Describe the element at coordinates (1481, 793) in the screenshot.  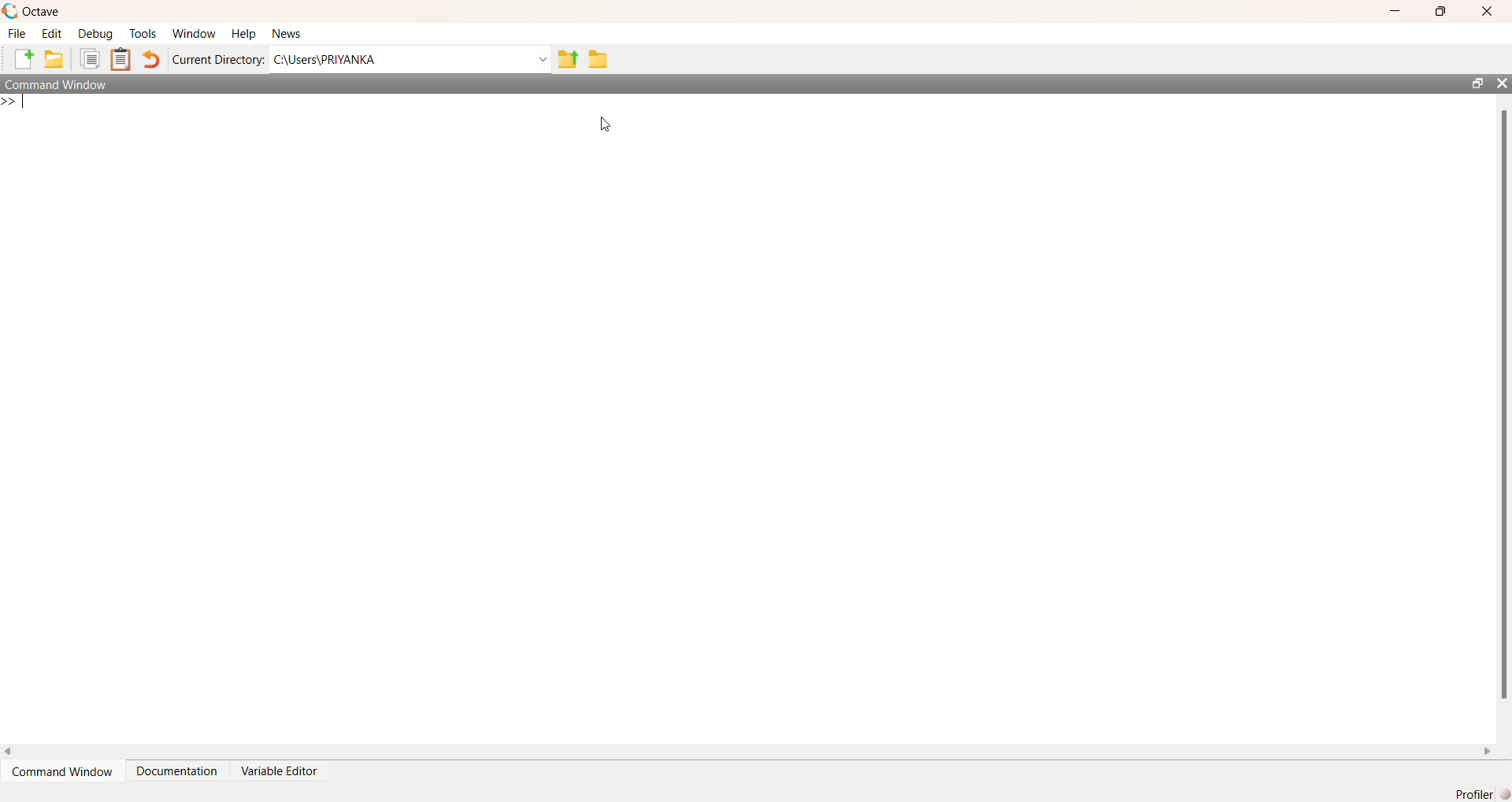
I see `Profiler` at that location.